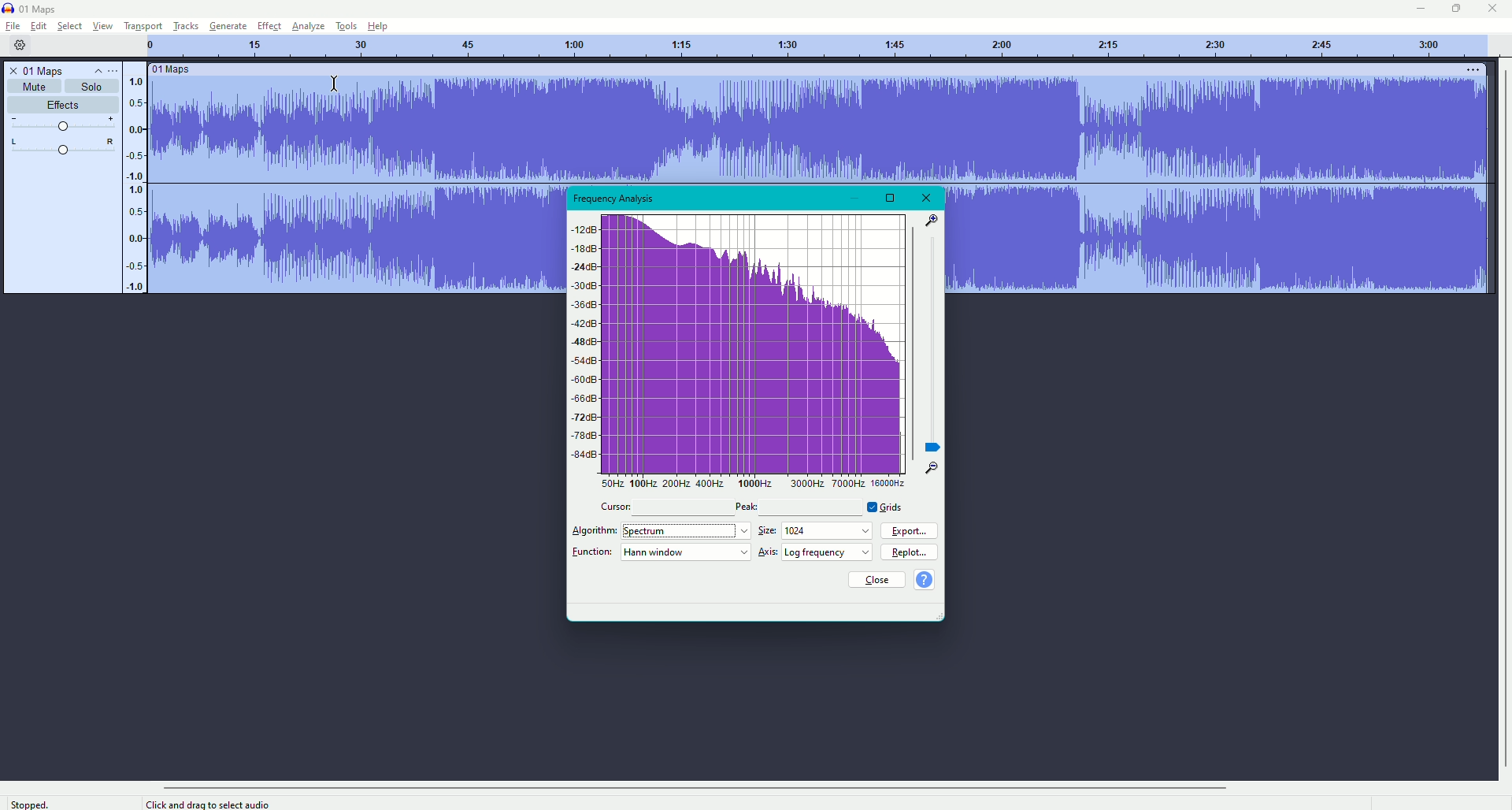  Describe the element at coordinates (61, 123) in the screenshot. I see `Slider` at that location.